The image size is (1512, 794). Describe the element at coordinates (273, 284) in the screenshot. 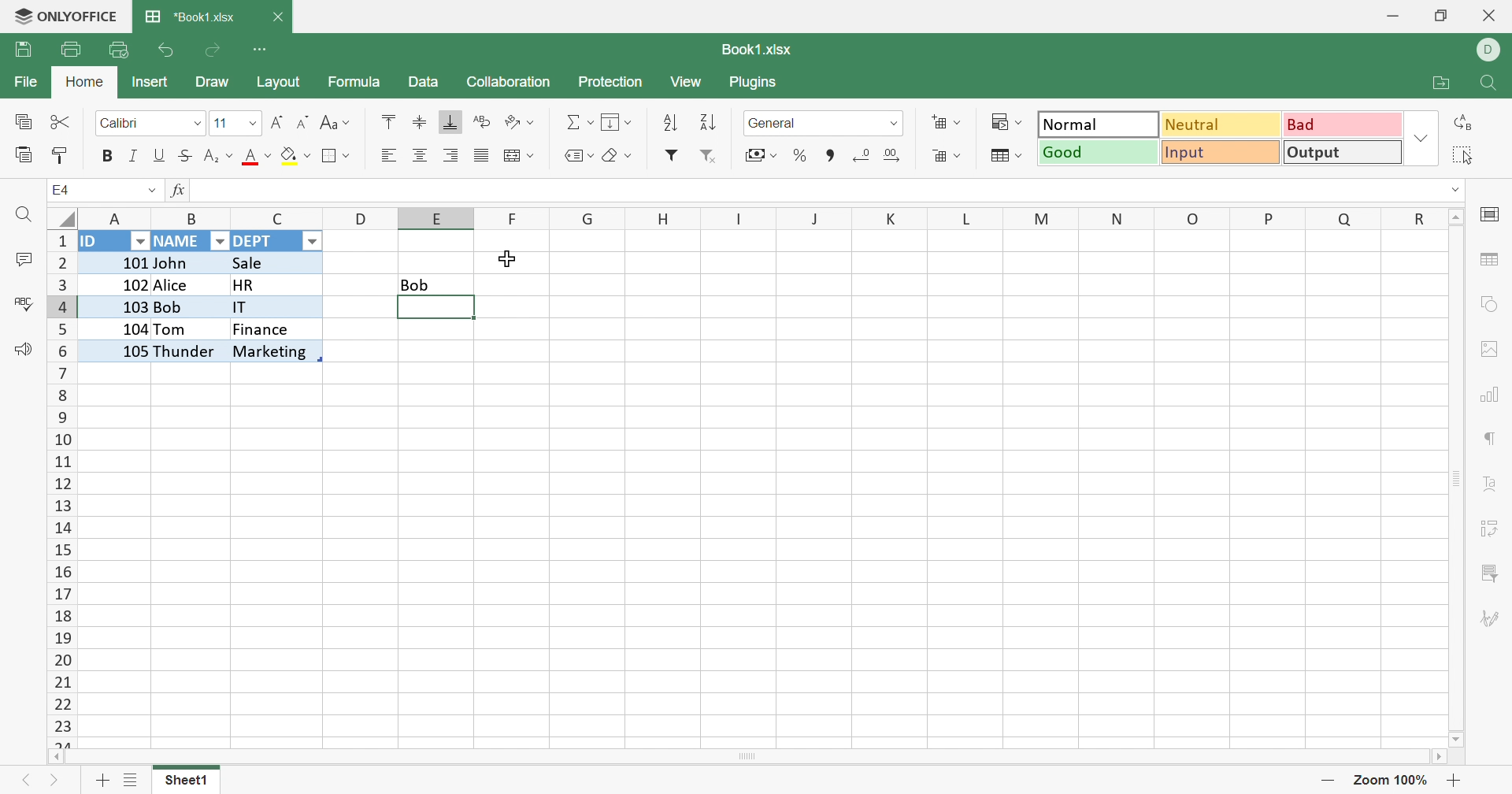

I see `HR` at that location.